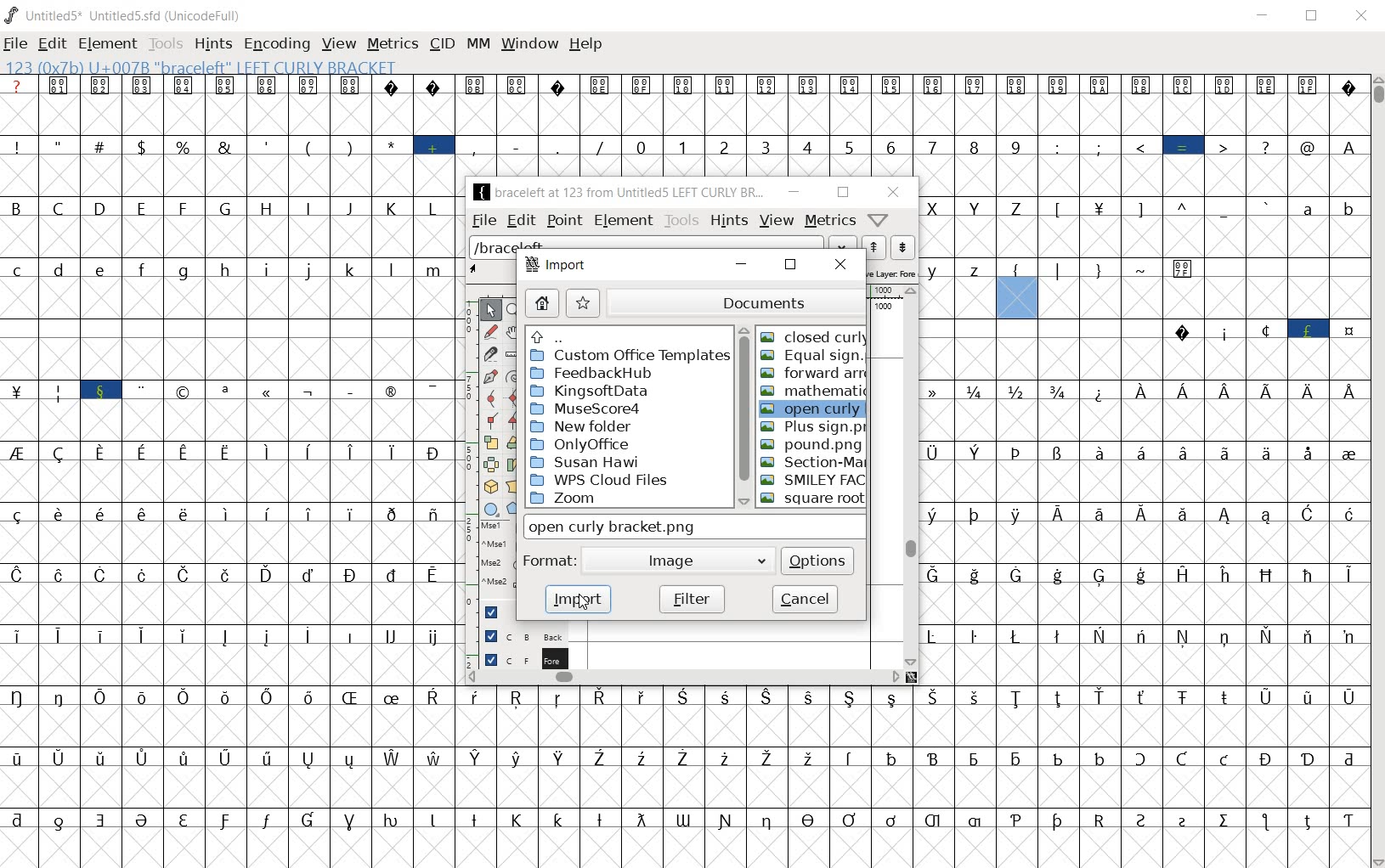  Describe the element at coordinates (490, 420) in the screenshot. I see `Add a corner point` at that location.